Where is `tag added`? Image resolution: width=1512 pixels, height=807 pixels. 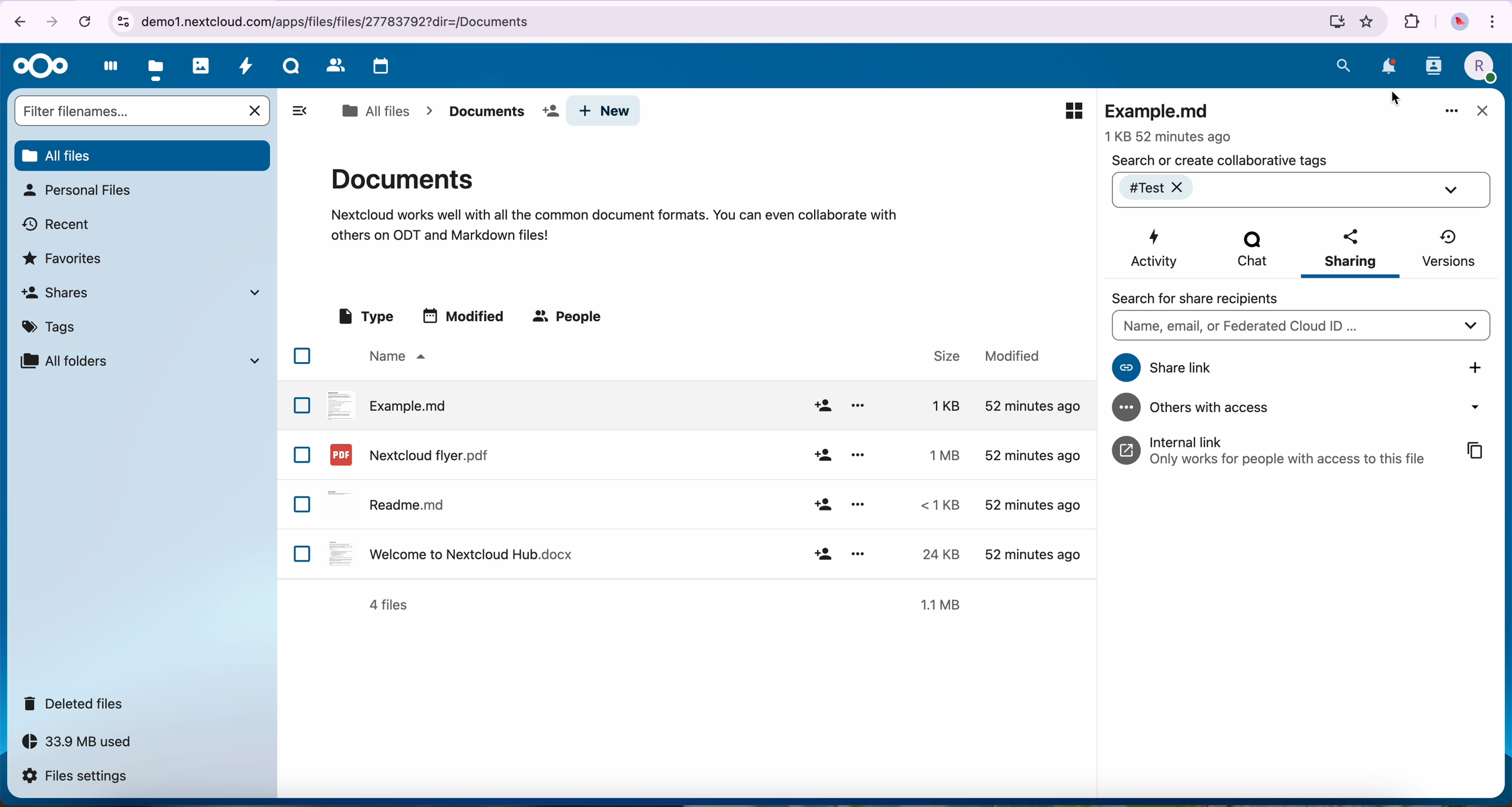 tag added is located at coordinates (1166, 188).